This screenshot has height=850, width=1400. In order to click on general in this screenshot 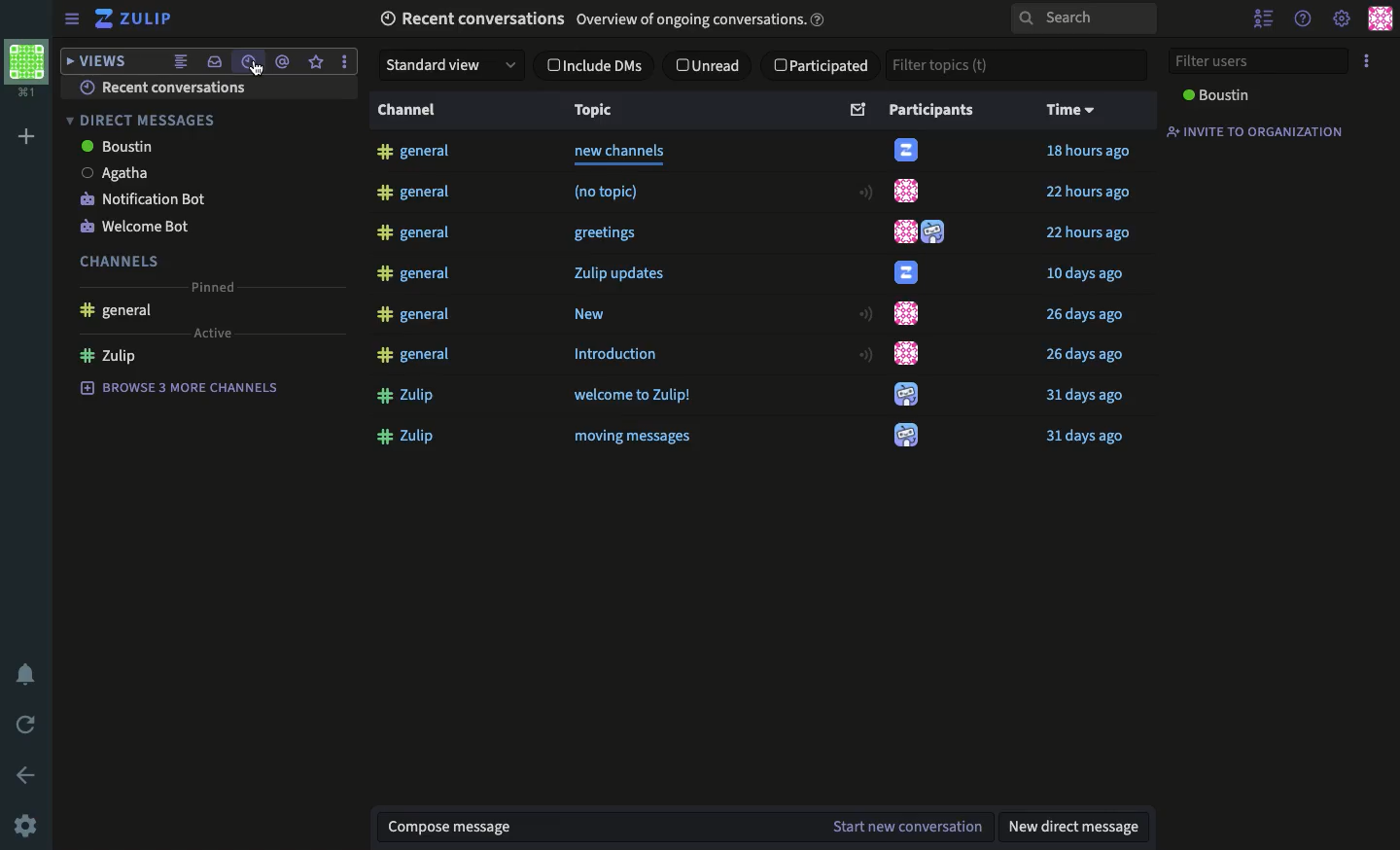, I will do `click(413, 152)`.